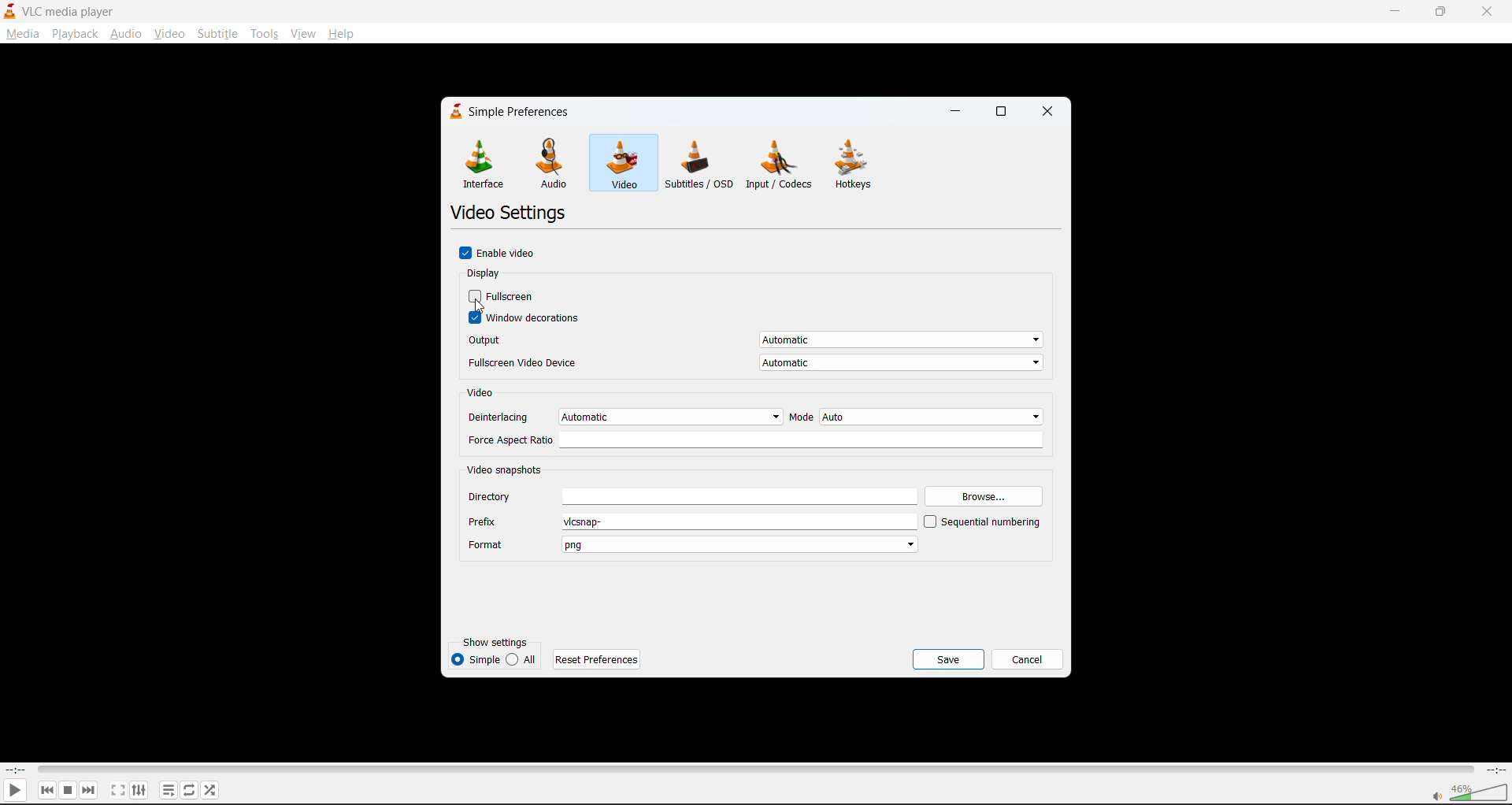 This screenshot has width=1512, height=805. I want to click on minimize, so click(958, 112).